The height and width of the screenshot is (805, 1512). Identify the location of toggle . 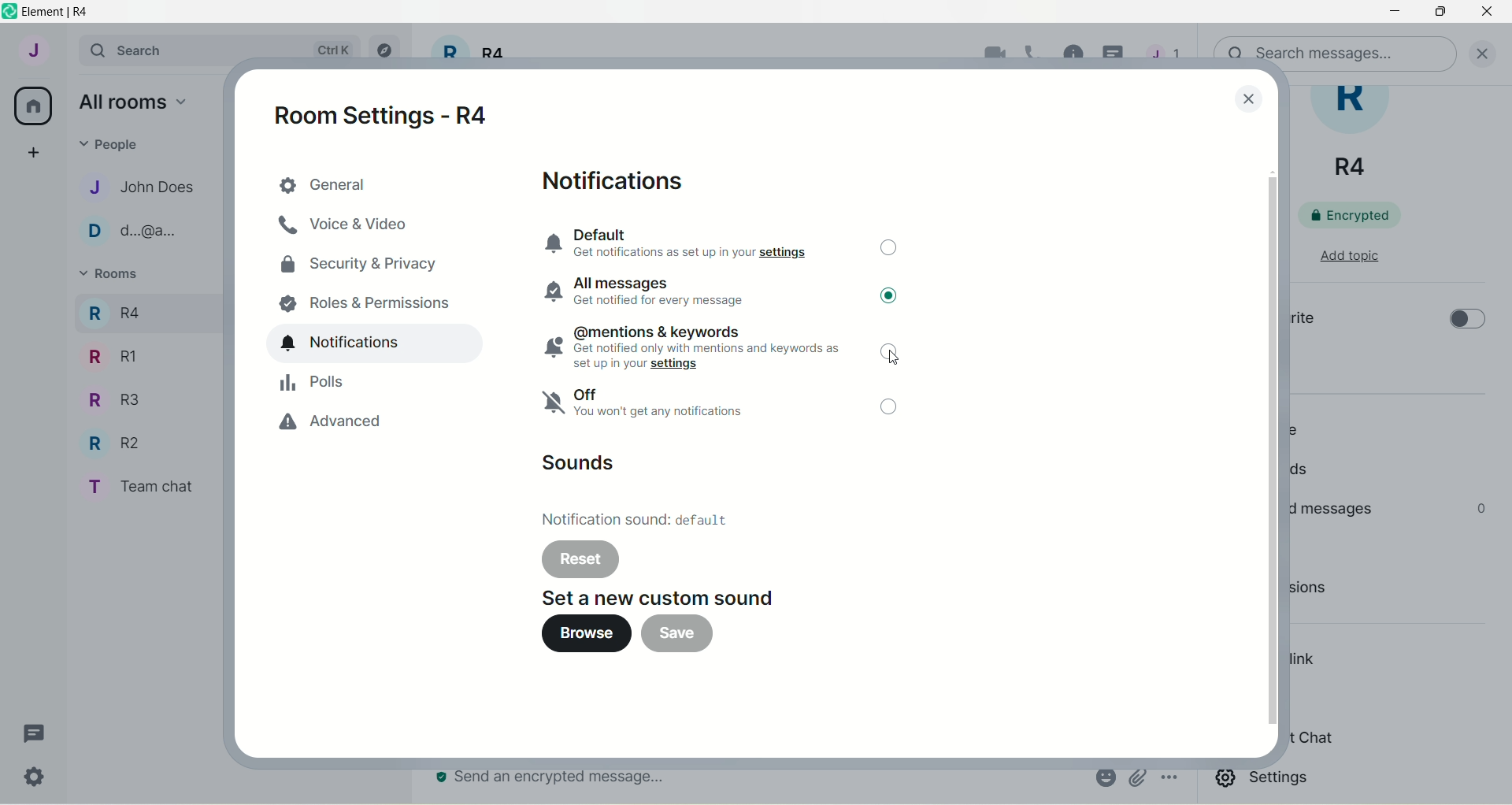
(889, 352).